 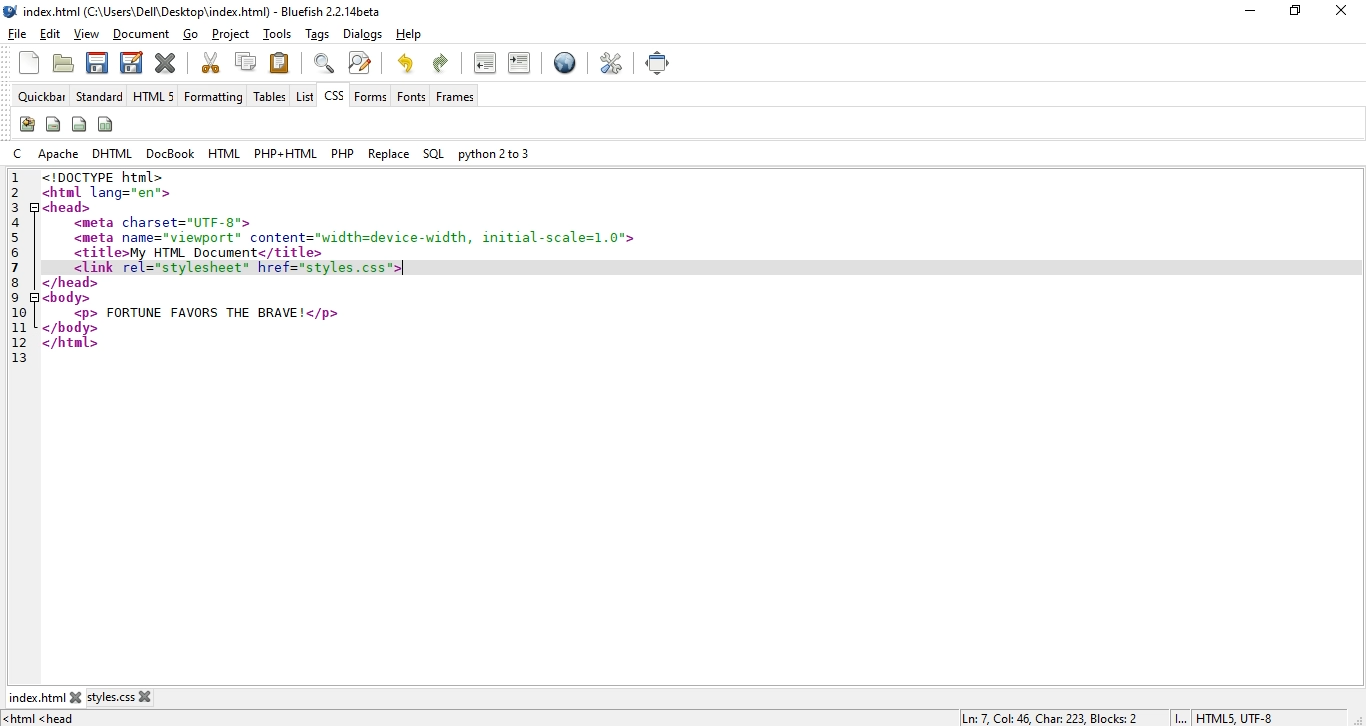 I want to click on dhtml, so click(x=114, y=154).